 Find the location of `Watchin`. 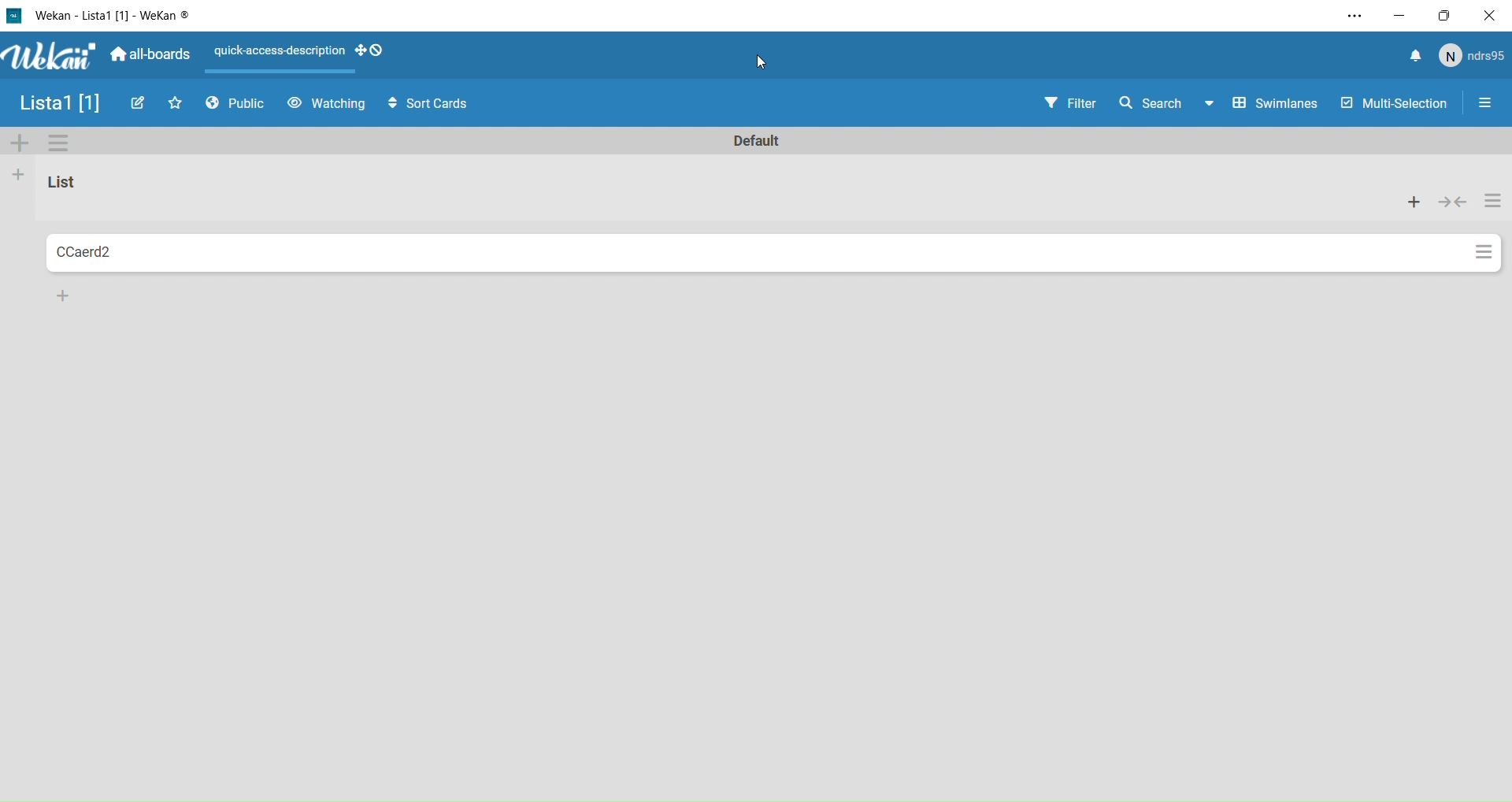

Watchin is located at coordinates (328, 105).